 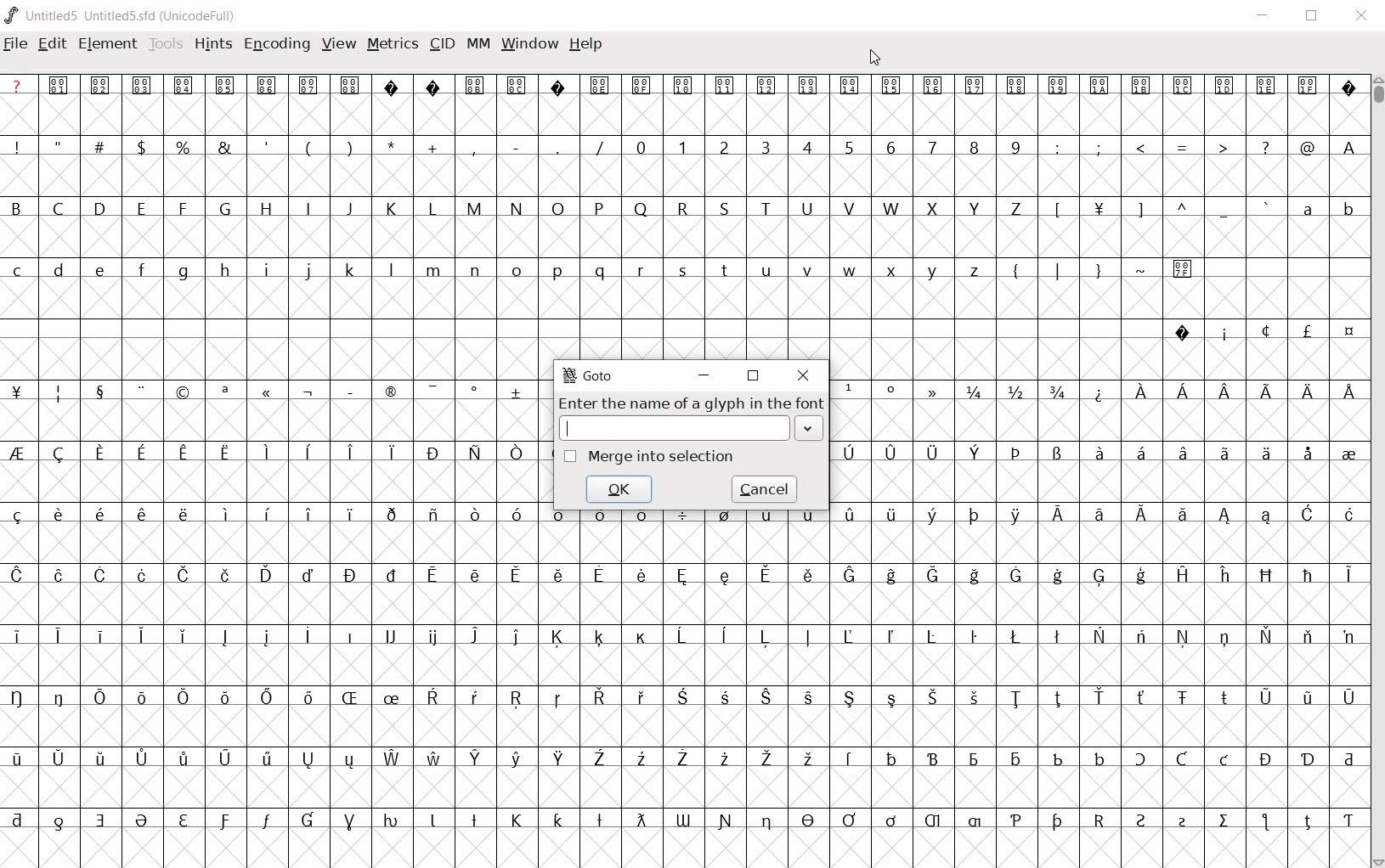 I want to click on Symbol, so click(x=184, y=392).